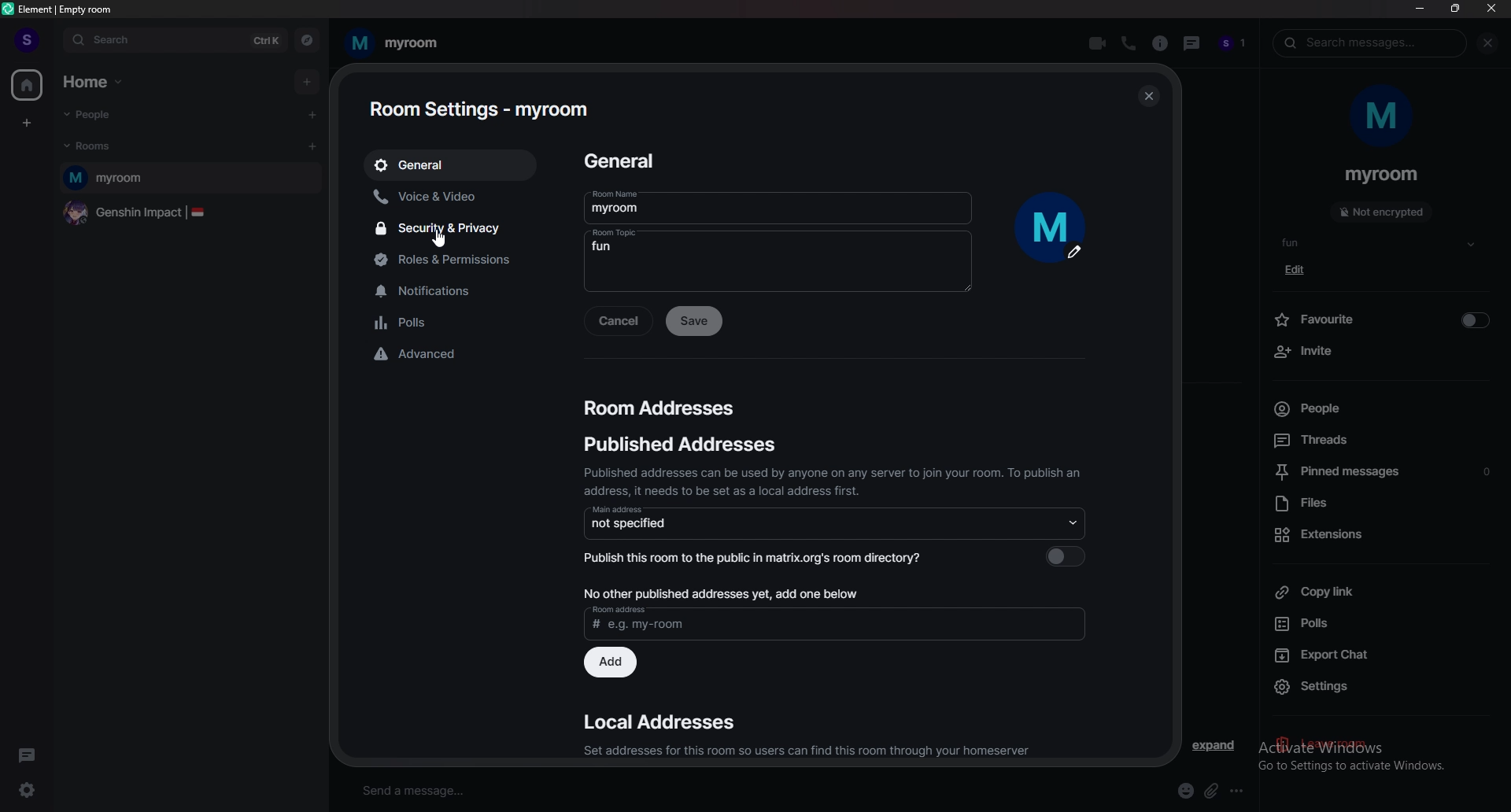  What do you see at coordinates (67, 8) in the screenshot?
I see `element | empty room` at bounding box center [67, 8].